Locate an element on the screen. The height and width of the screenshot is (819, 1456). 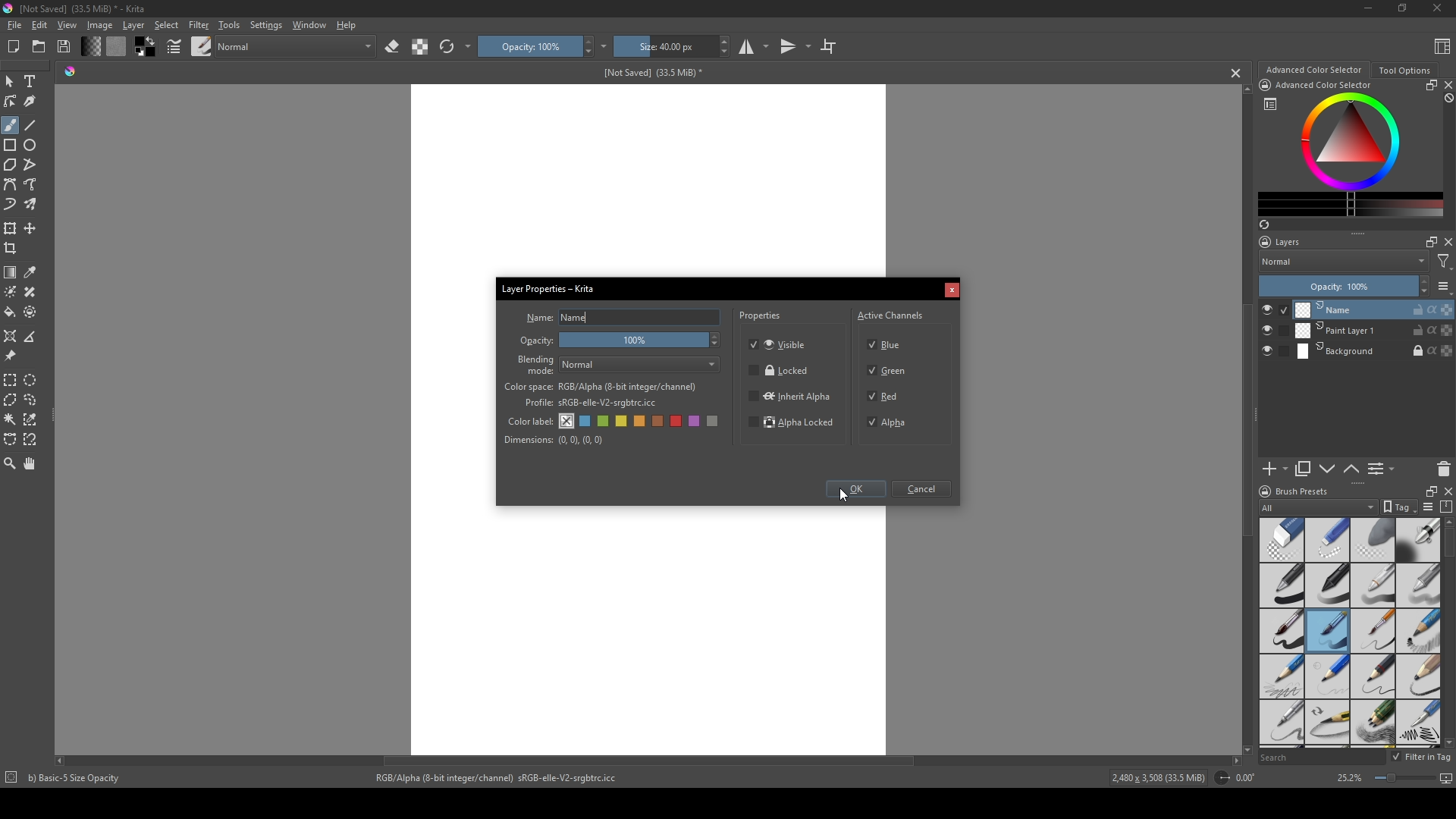
list is located at coordinates (1270, 104).